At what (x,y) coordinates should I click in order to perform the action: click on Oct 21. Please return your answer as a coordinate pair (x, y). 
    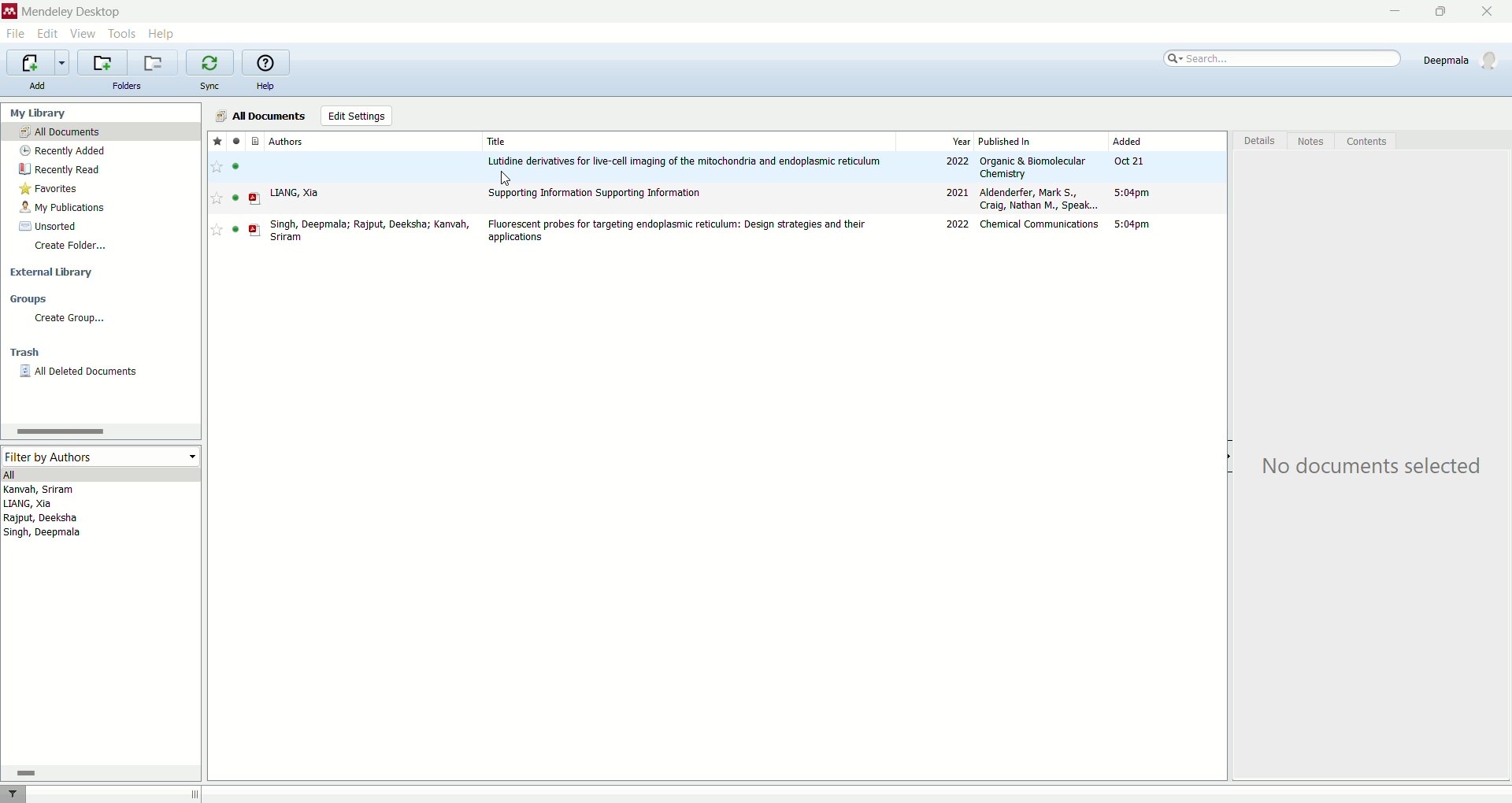
    Looking at the image, I should click on (1133, 163).